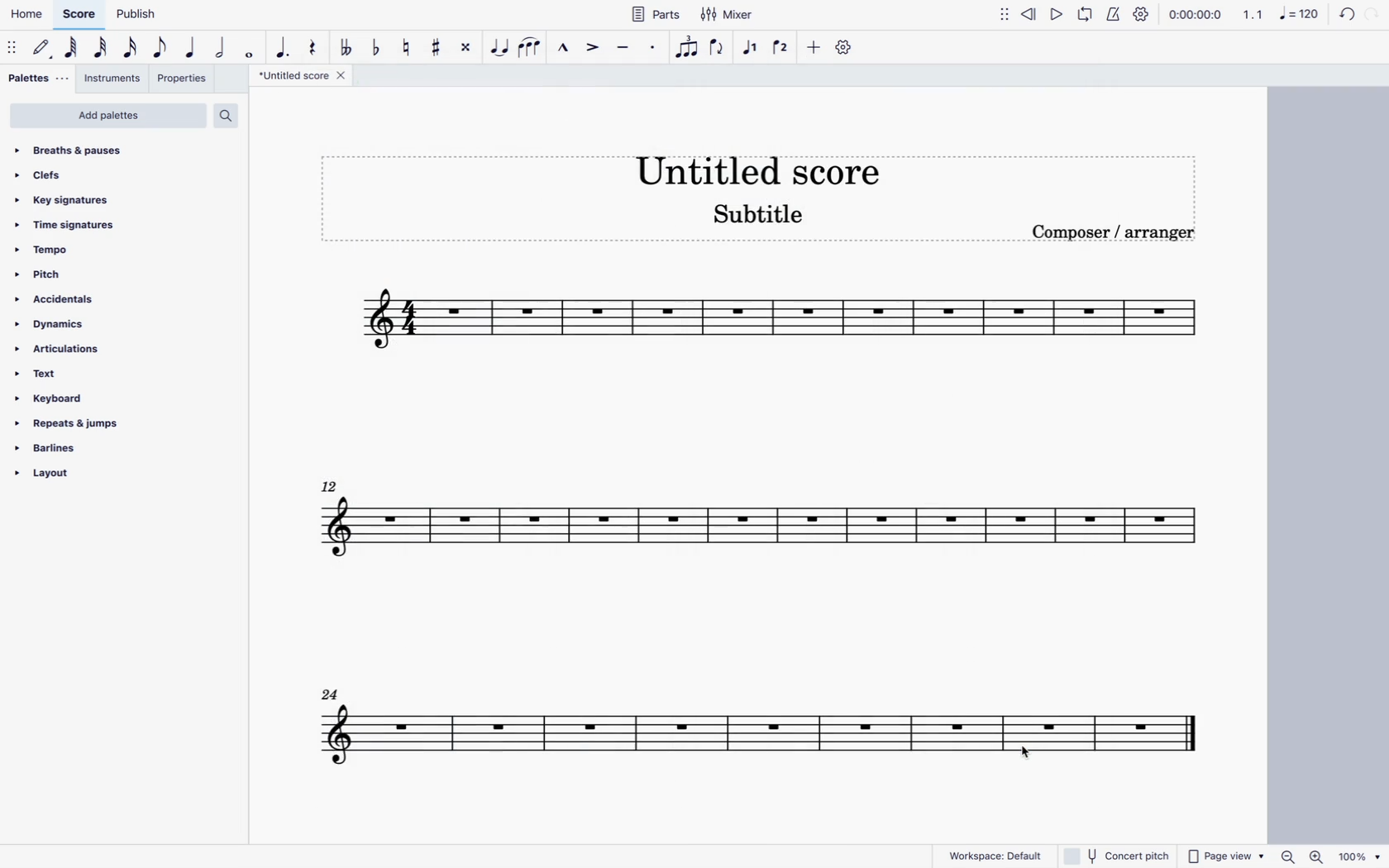  Describe the element at coordinates (12, 46) in the screenshot. I see `move` at that location.